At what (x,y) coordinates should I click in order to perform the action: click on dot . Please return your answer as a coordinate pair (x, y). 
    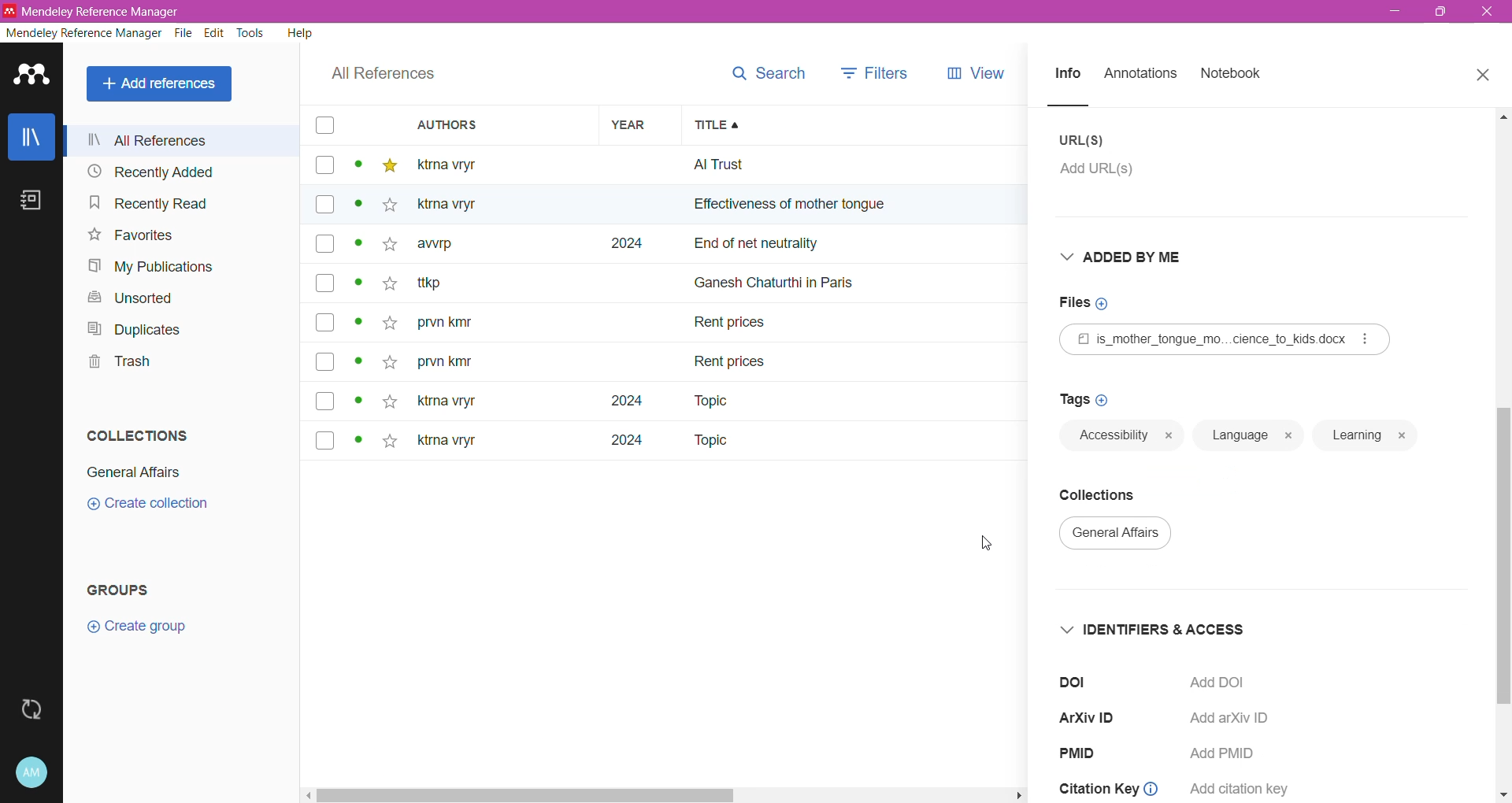
    Looking at the image, I should click on (358, 366).